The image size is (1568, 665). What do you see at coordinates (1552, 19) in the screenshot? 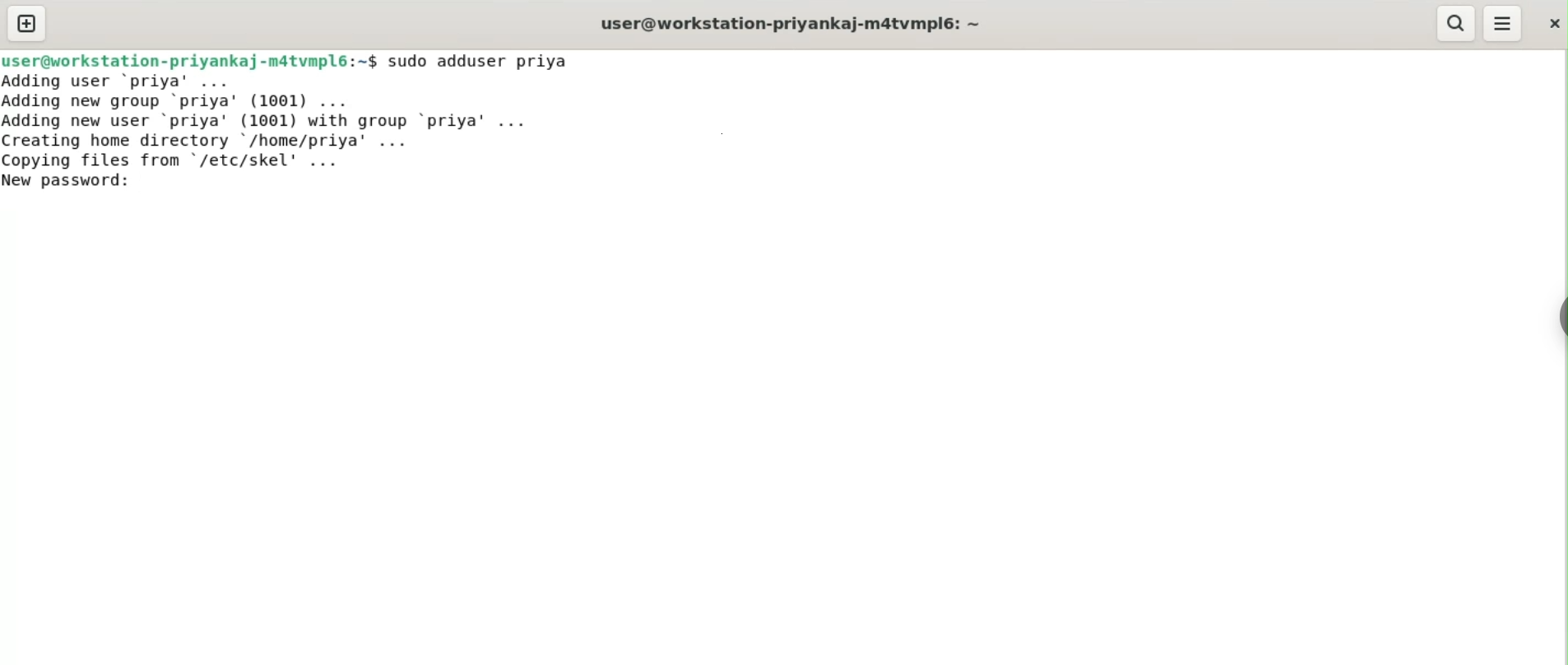
I see `close` at bounding box center [1552, 19].